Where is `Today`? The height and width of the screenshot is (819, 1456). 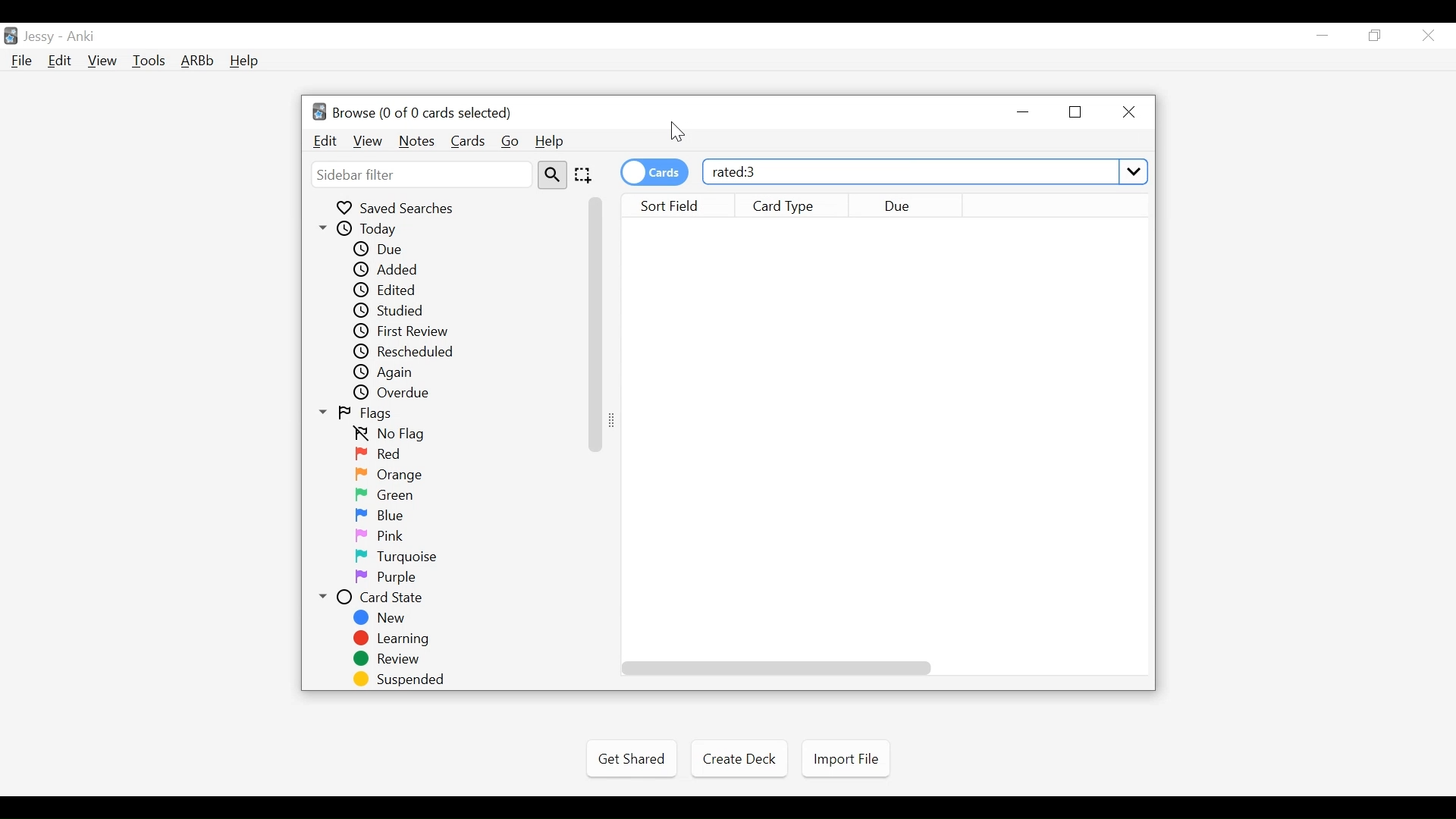 Today is located at coordinates (372, 229).